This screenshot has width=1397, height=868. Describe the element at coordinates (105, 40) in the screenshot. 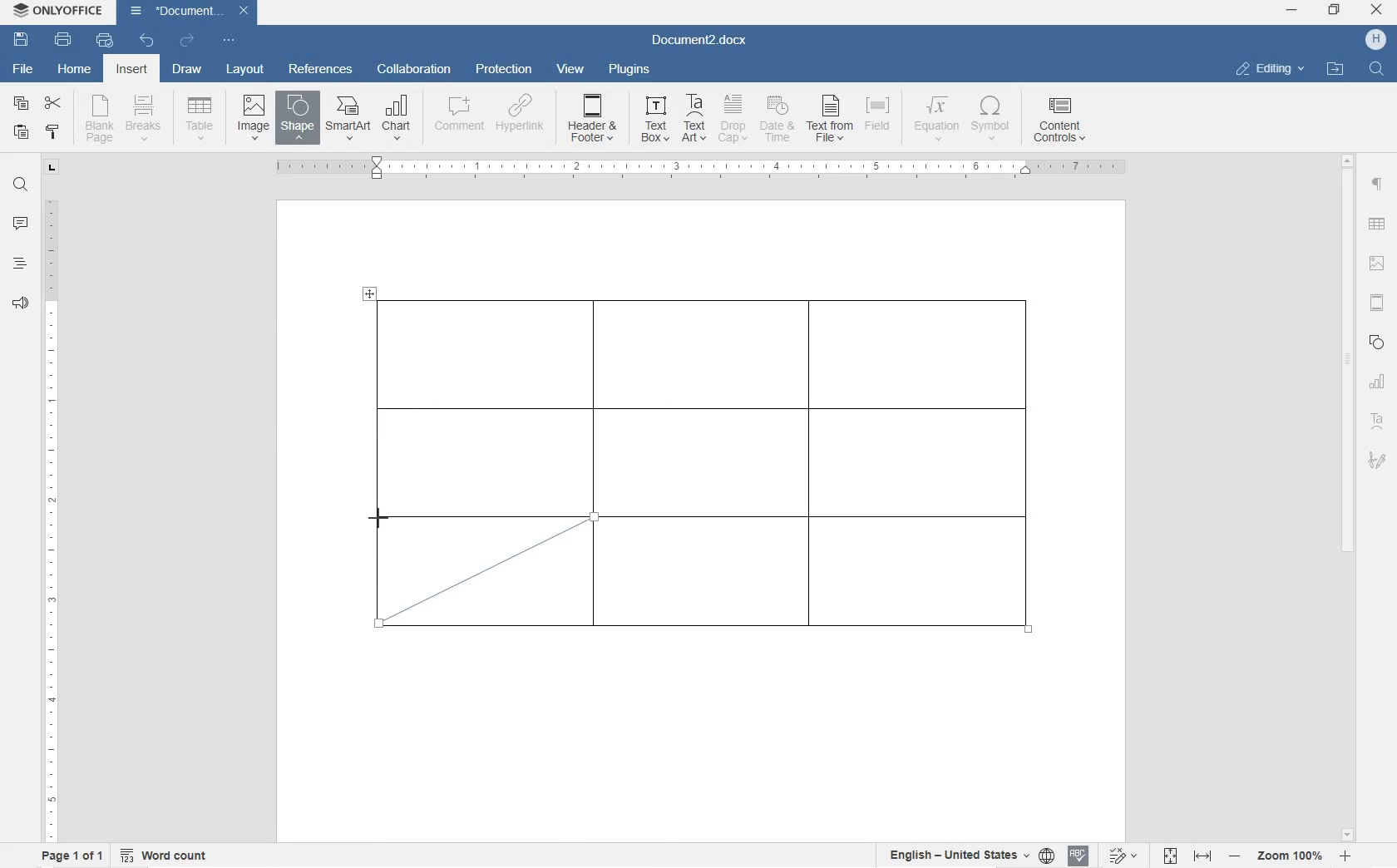

I see `quick print` at that location.